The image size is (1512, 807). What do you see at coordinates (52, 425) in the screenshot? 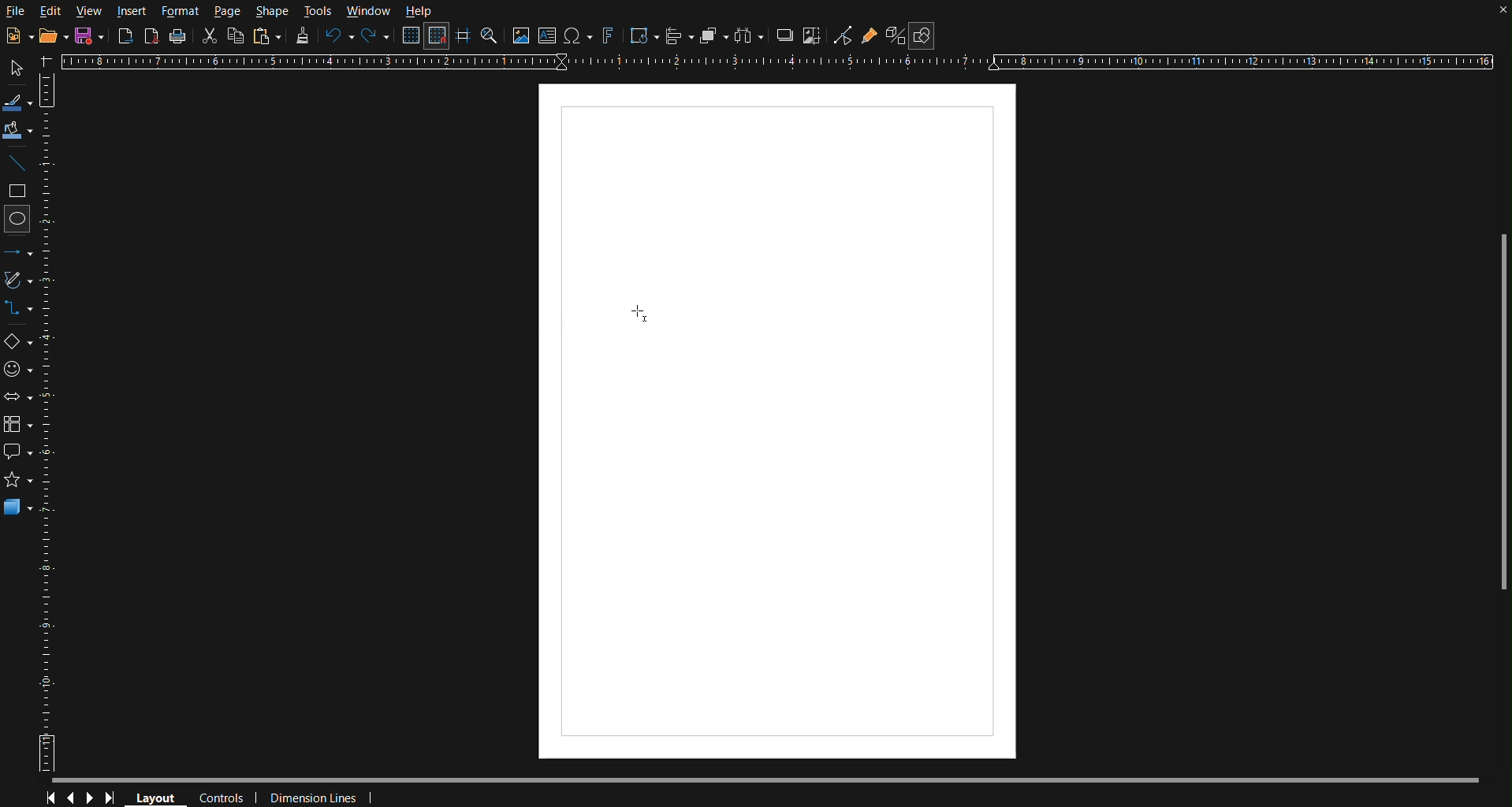
I see `Vertical Ruler` at bounding box center [52, 425].